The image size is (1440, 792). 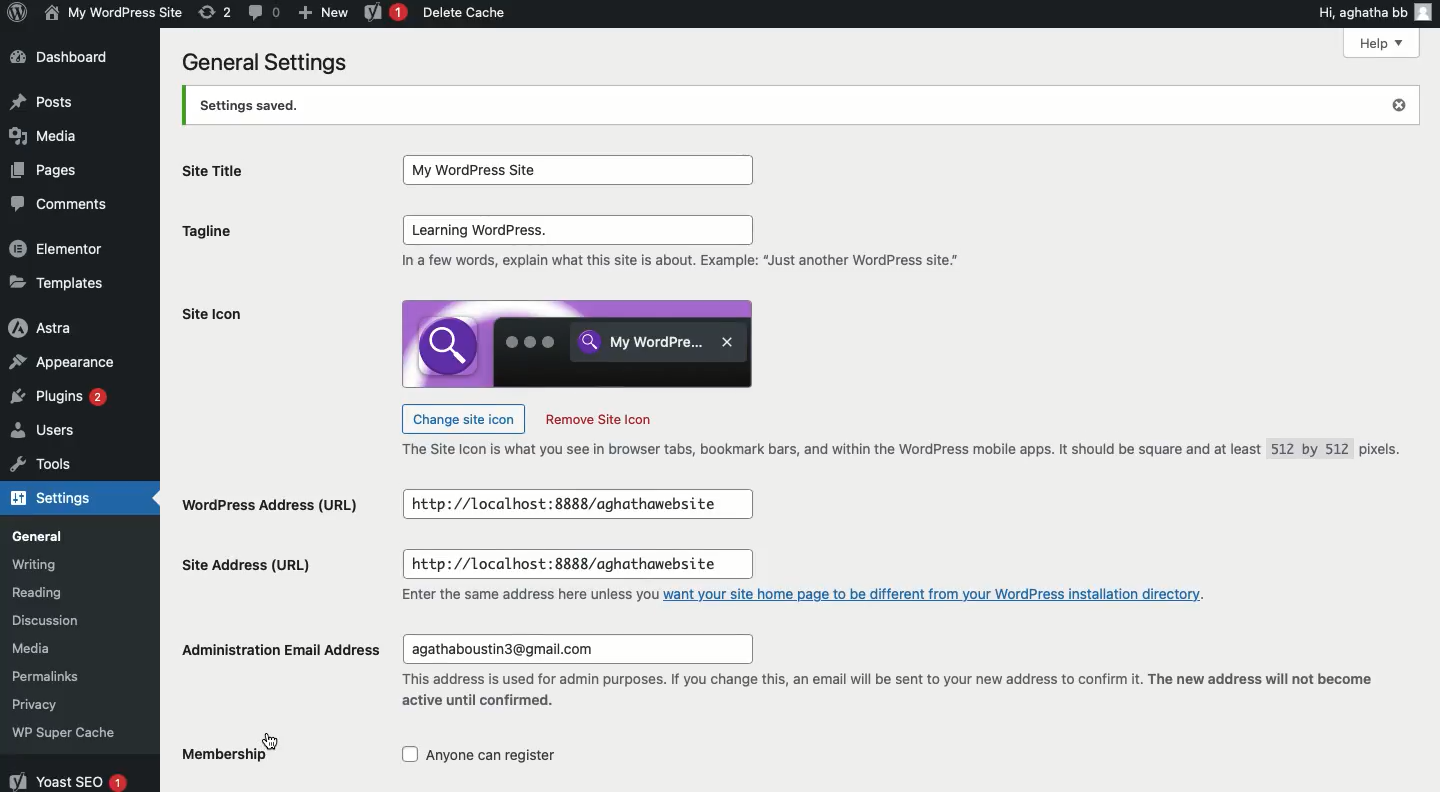 I want to click on Enter the same address here unless you, so click(x=511, y=597).